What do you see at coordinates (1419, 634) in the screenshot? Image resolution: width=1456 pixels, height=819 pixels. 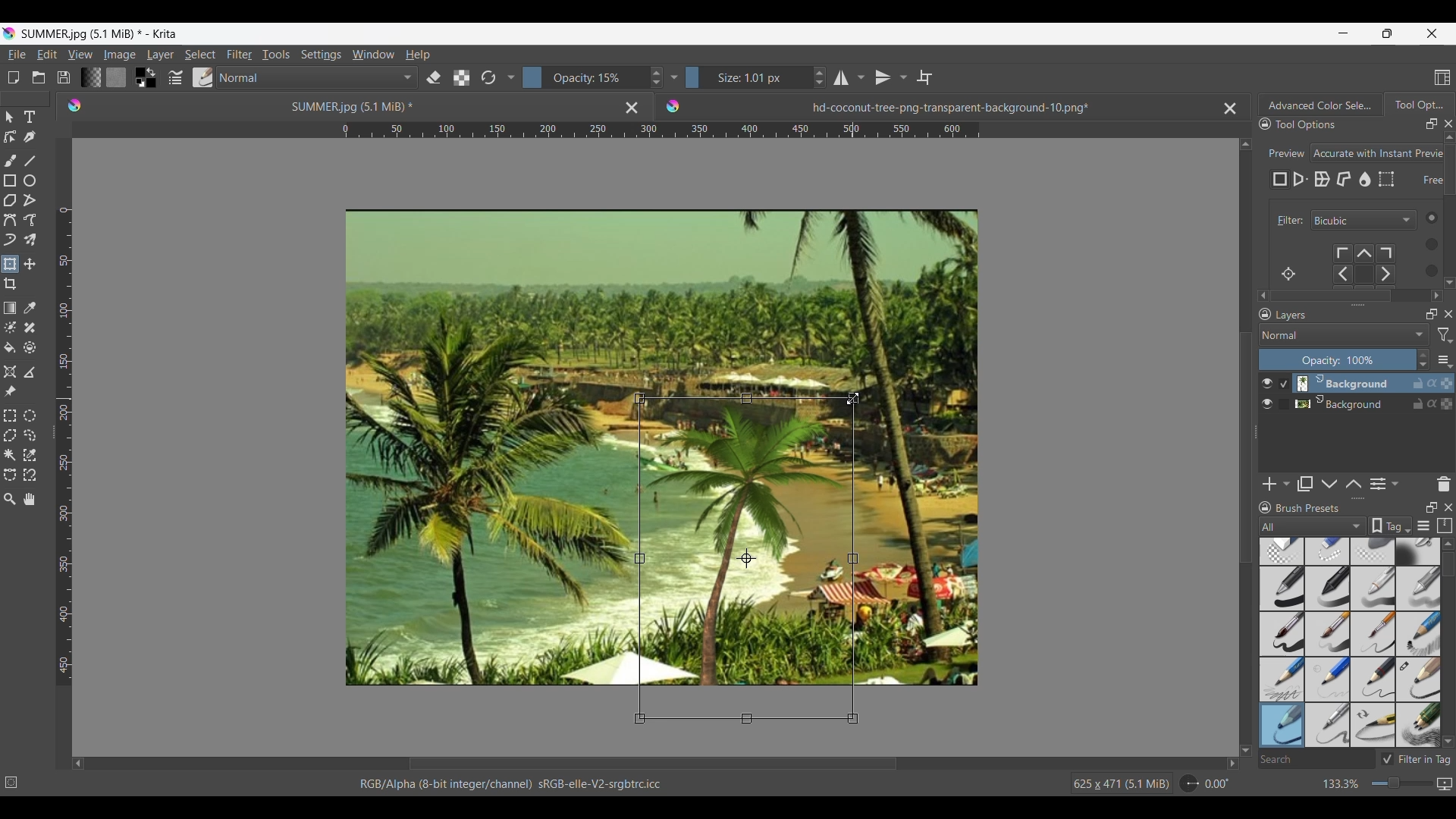 I see `pencil 1-sketch` at bounding box center [1419, 634].